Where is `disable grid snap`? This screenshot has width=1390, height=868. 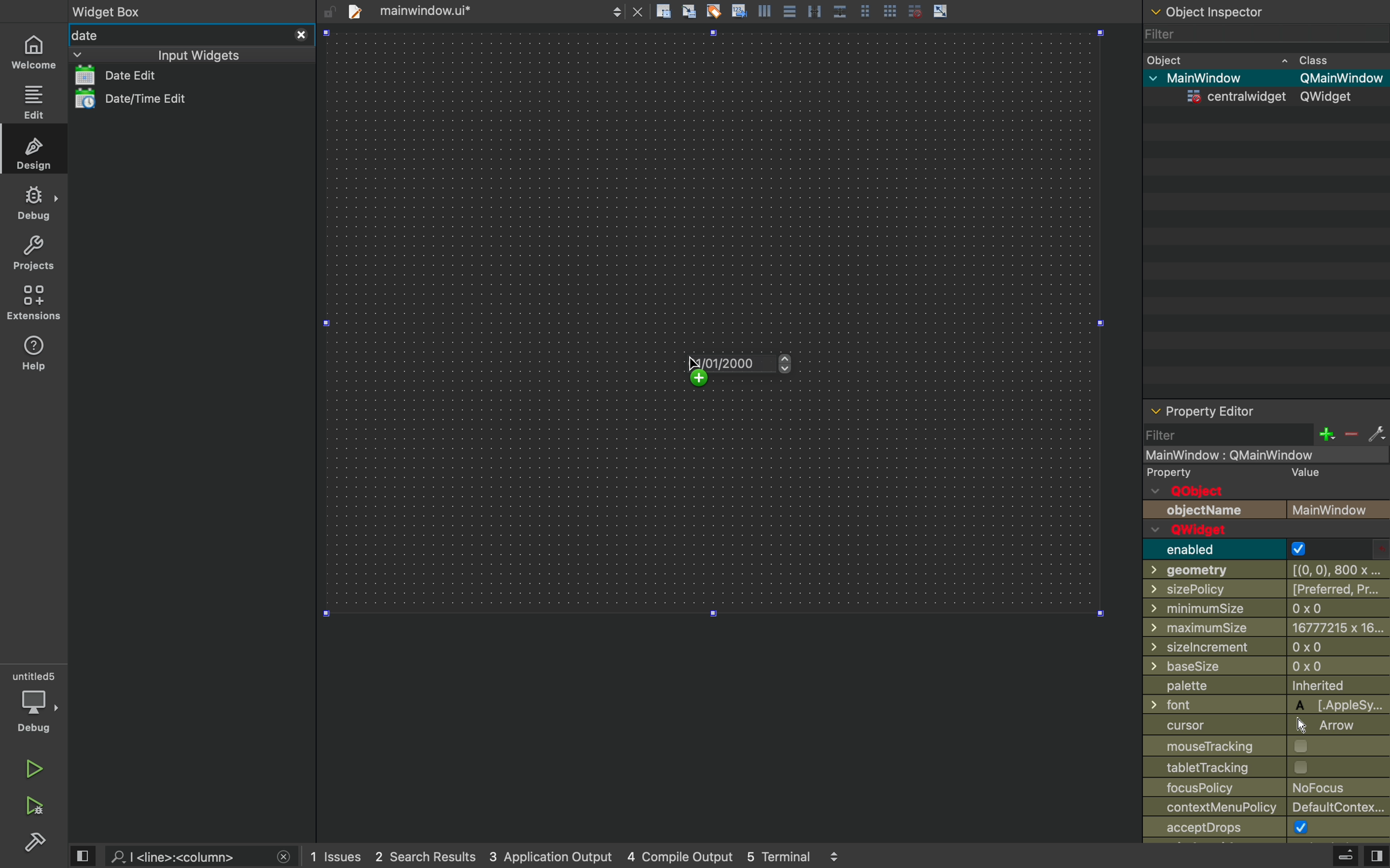 disable grid snap is located at coordinates (916, 10).